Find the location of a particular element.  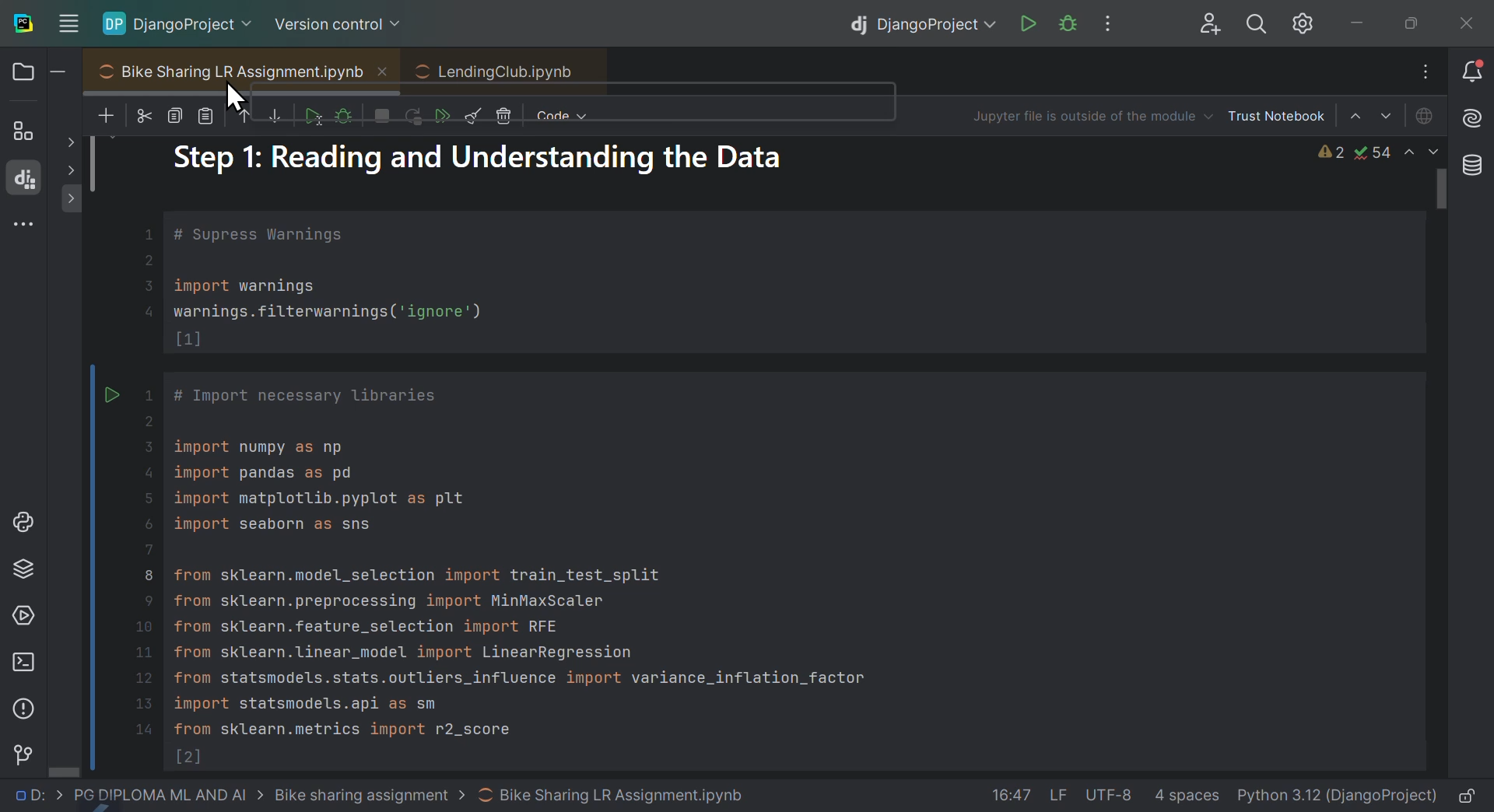

More options is located at coordinates (1121, 23).